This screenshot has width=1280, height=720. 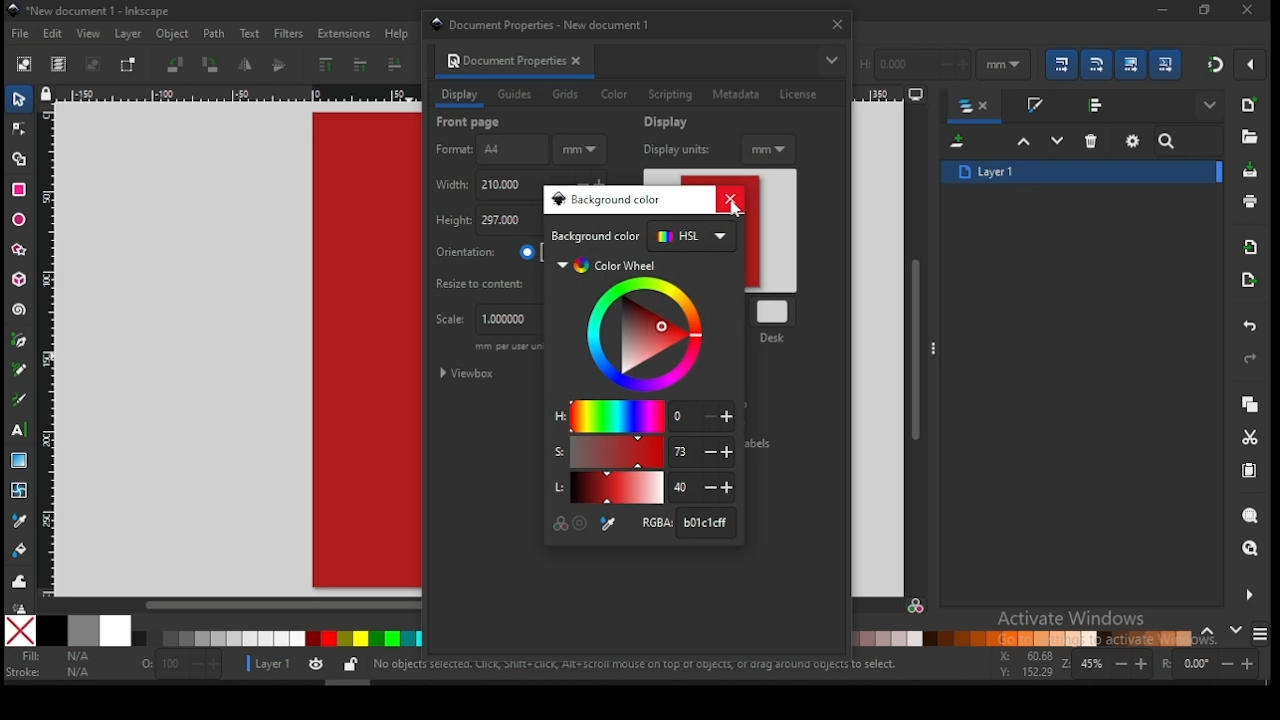 I want to click on color palette, so click(x=277, y=639).